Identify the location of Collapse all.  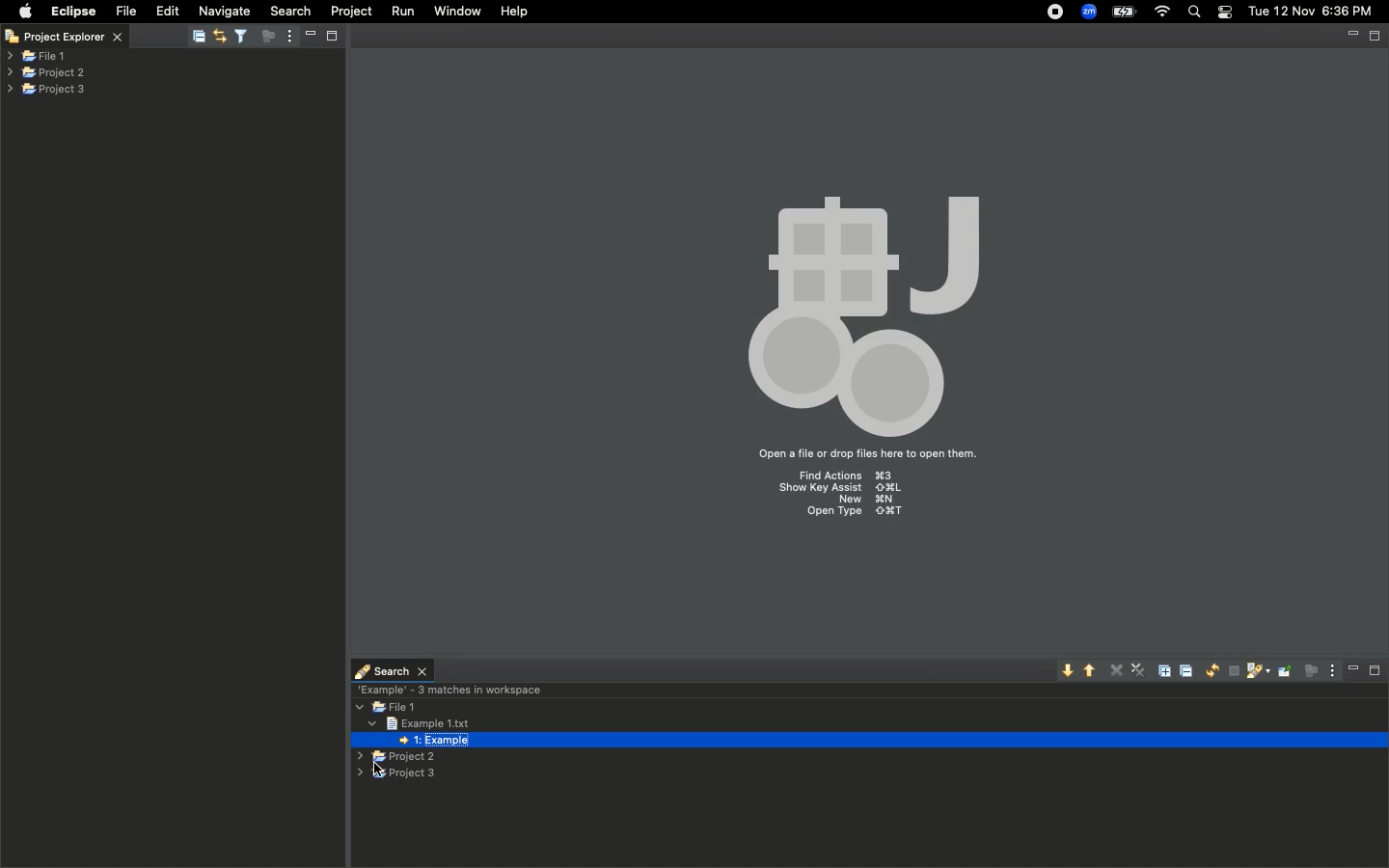
(1189, 670).